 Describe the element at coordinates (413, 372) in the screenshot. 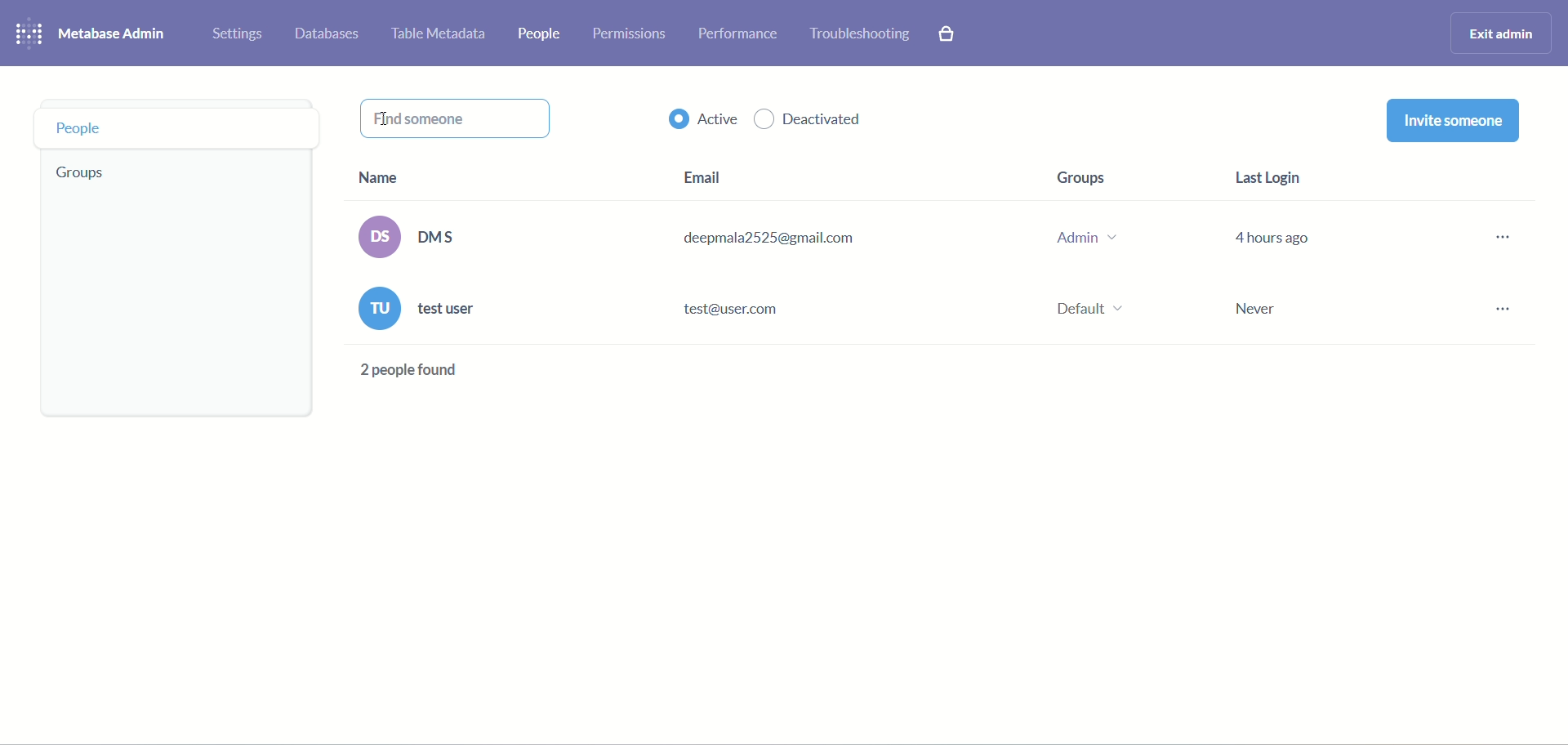

I see `text` at that location.